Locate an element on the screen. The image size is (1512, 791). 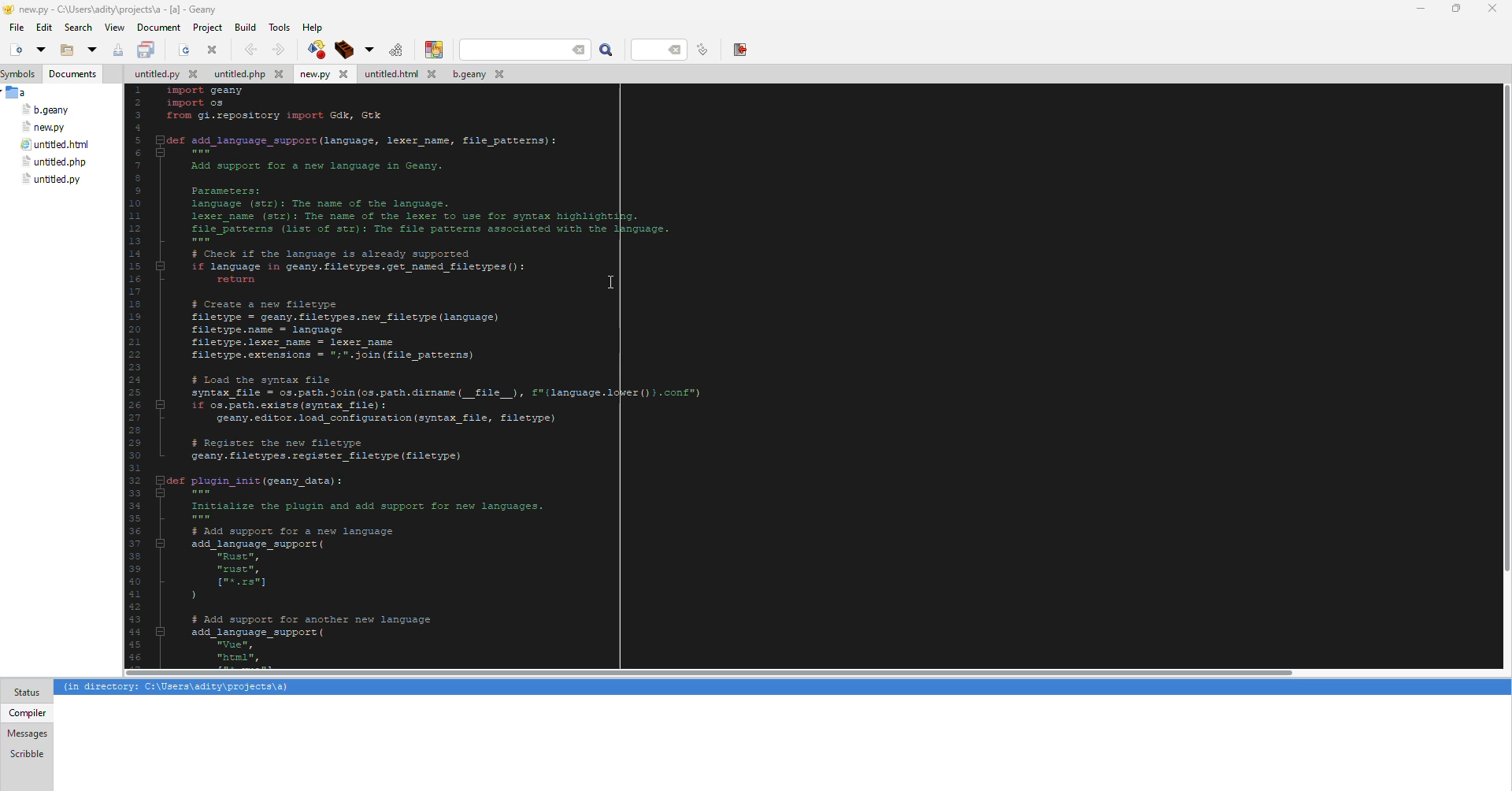
symbols is located at coordinates (18, 74).